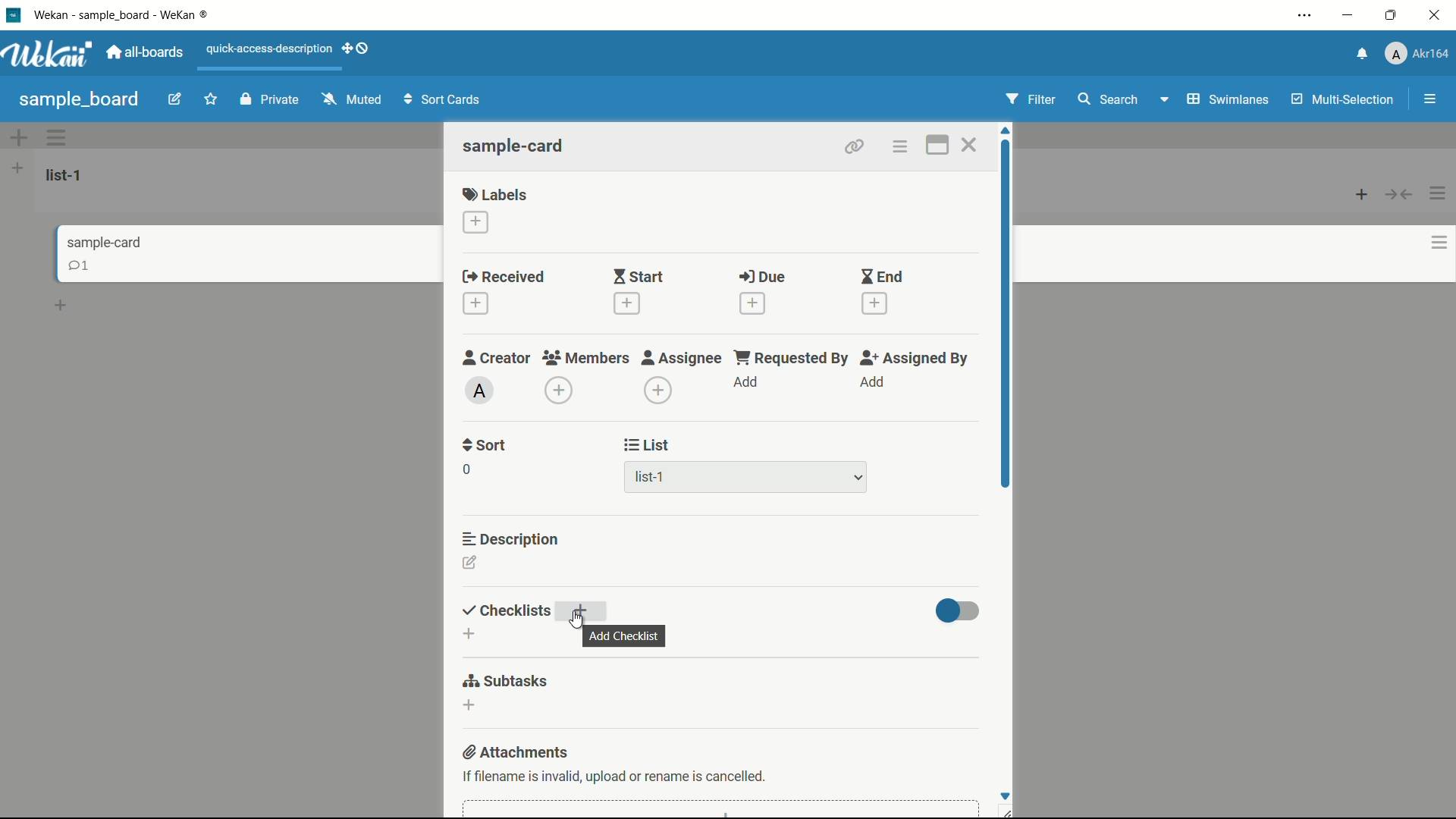 The width and height of the screenshot is (1456, 819). Describe the element at coordinates (561, 391) in the screenshot. I see `add member` at that location.